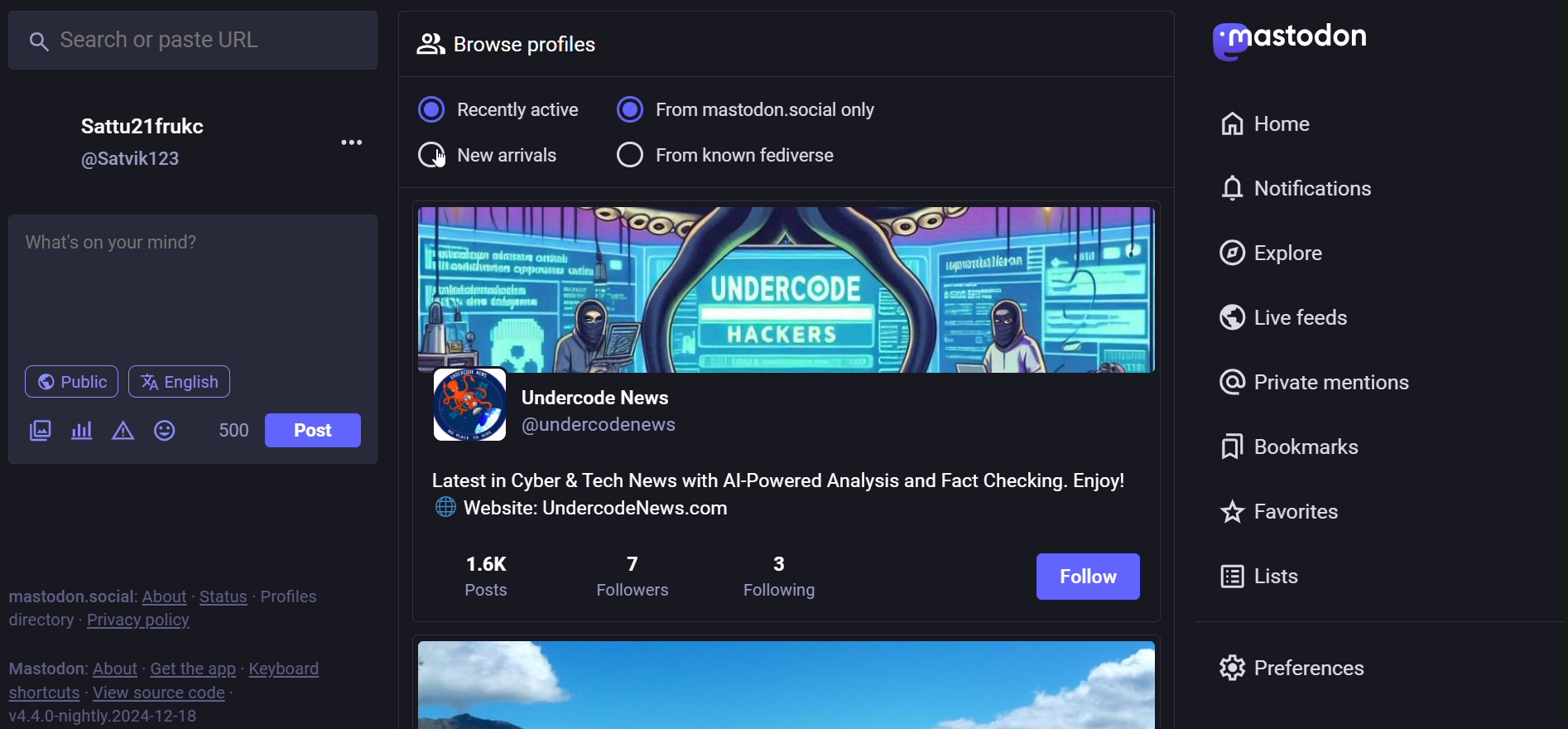 This screenshot has height=729, width=1568. Describe the element at coordinates (232, 431) in the screenshot. I see `500` at that location.